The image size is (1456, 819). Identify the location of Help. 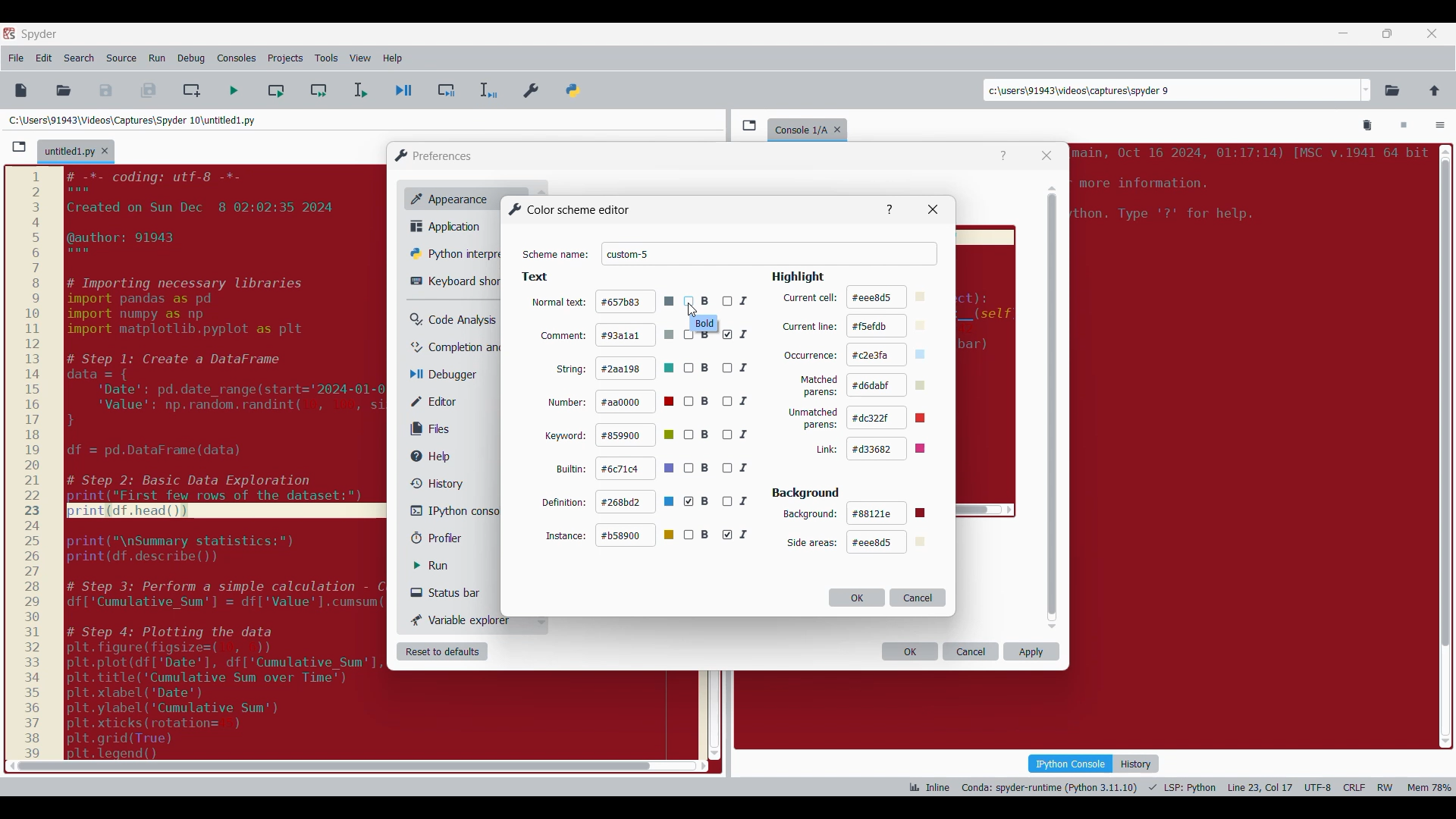
(438, 457).